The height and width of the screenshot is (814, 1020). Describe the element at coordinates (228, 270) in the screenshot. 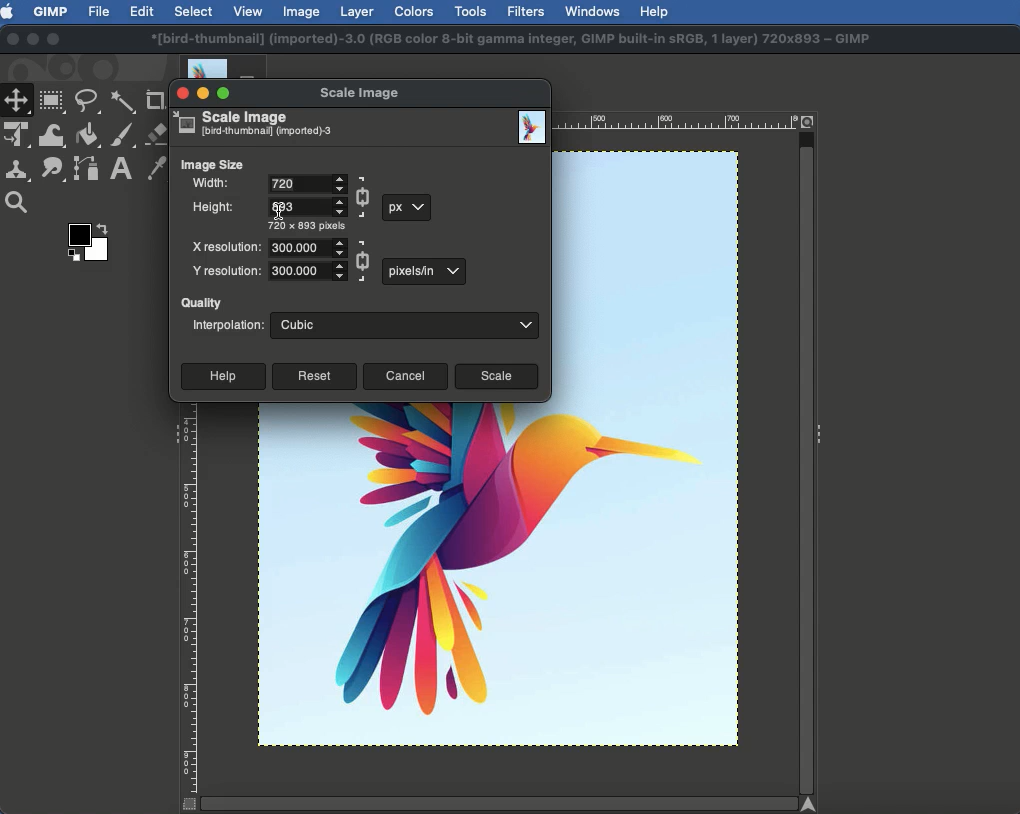

I see `Y resolution` at that location.